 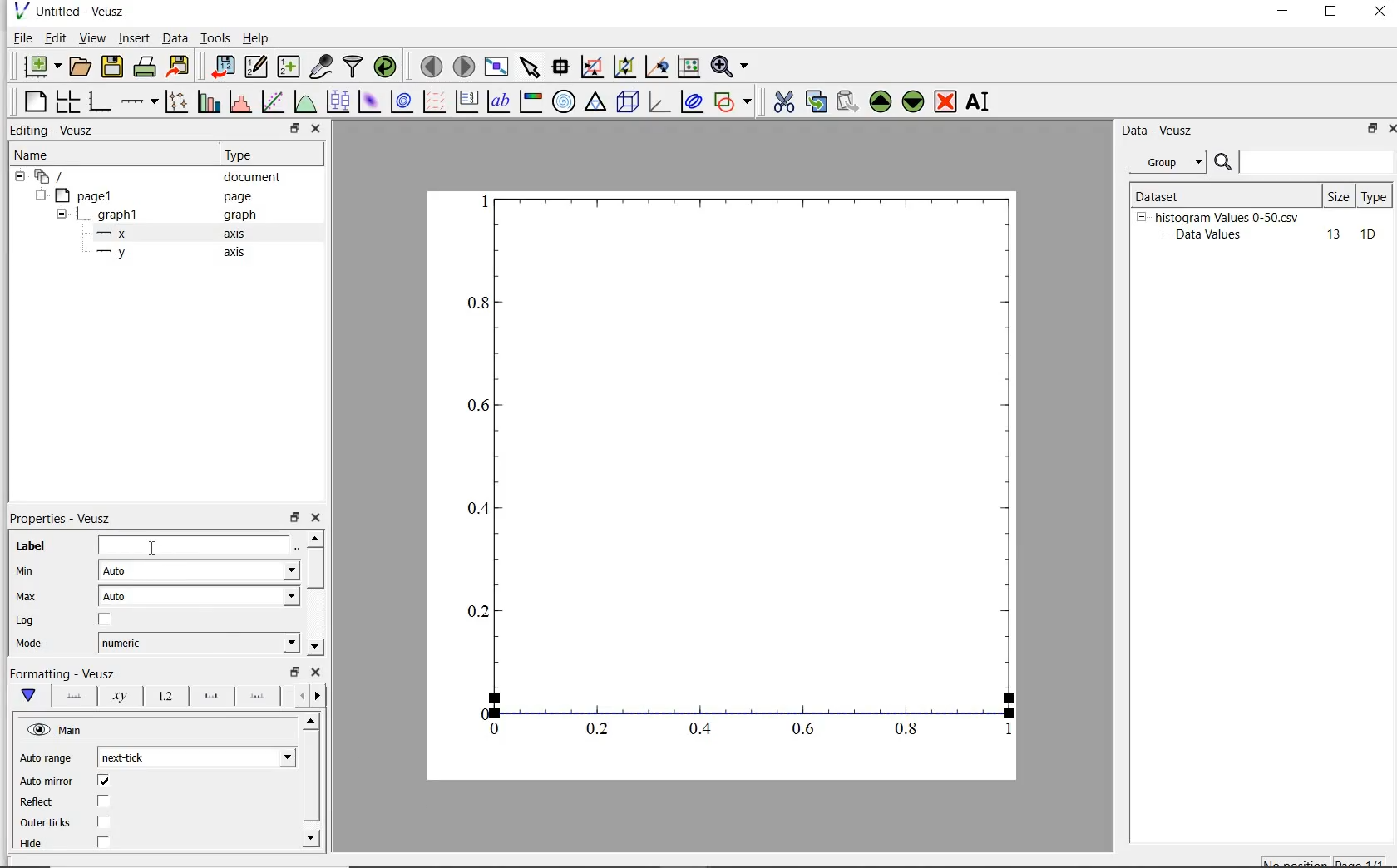 I want to click on 3d graph, so click(x=659, y=102).